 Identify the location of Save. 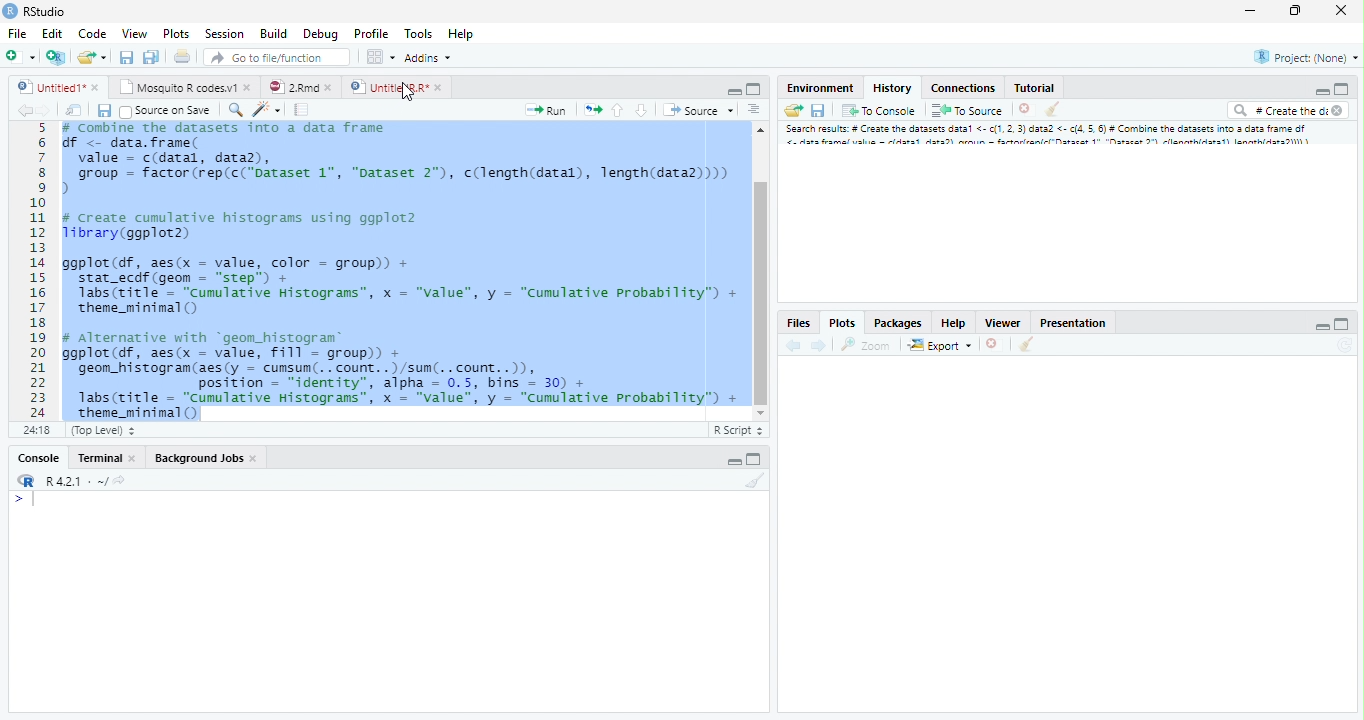
(104, 111).